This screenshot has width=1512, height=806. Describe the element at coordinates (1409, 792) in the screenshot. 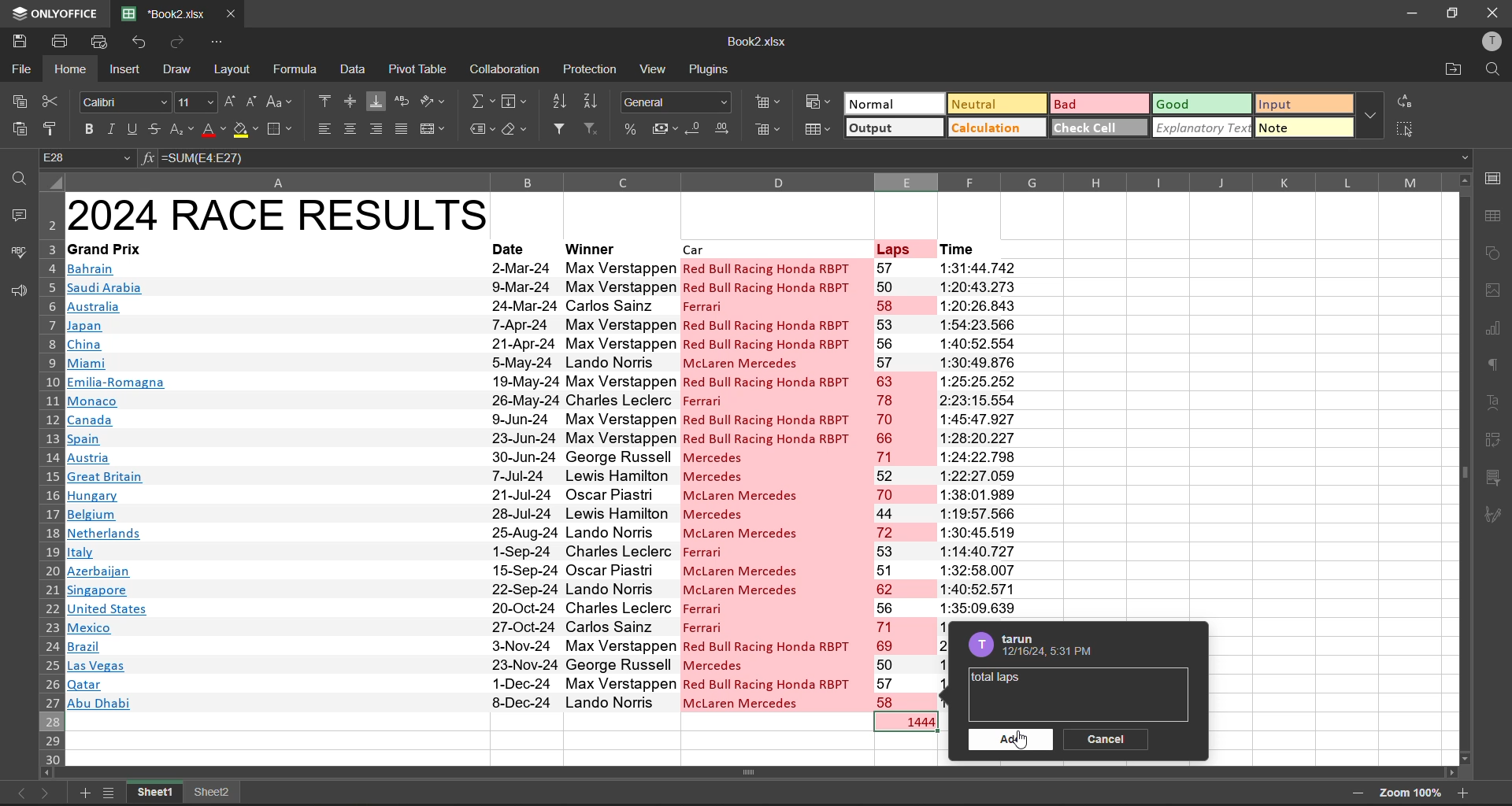

I see `zoom factor` at that location.